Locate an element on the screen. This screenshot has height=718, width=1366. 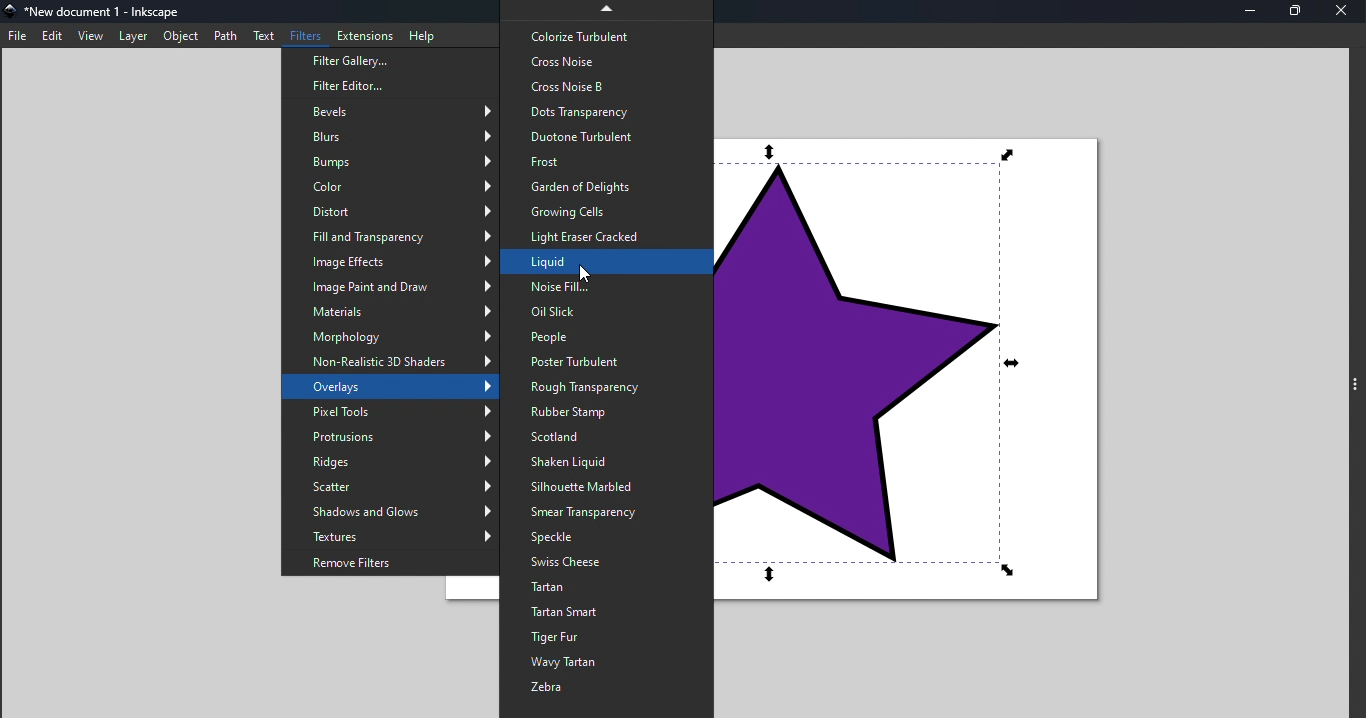
Filter editor is located at coordinates (388, 87).